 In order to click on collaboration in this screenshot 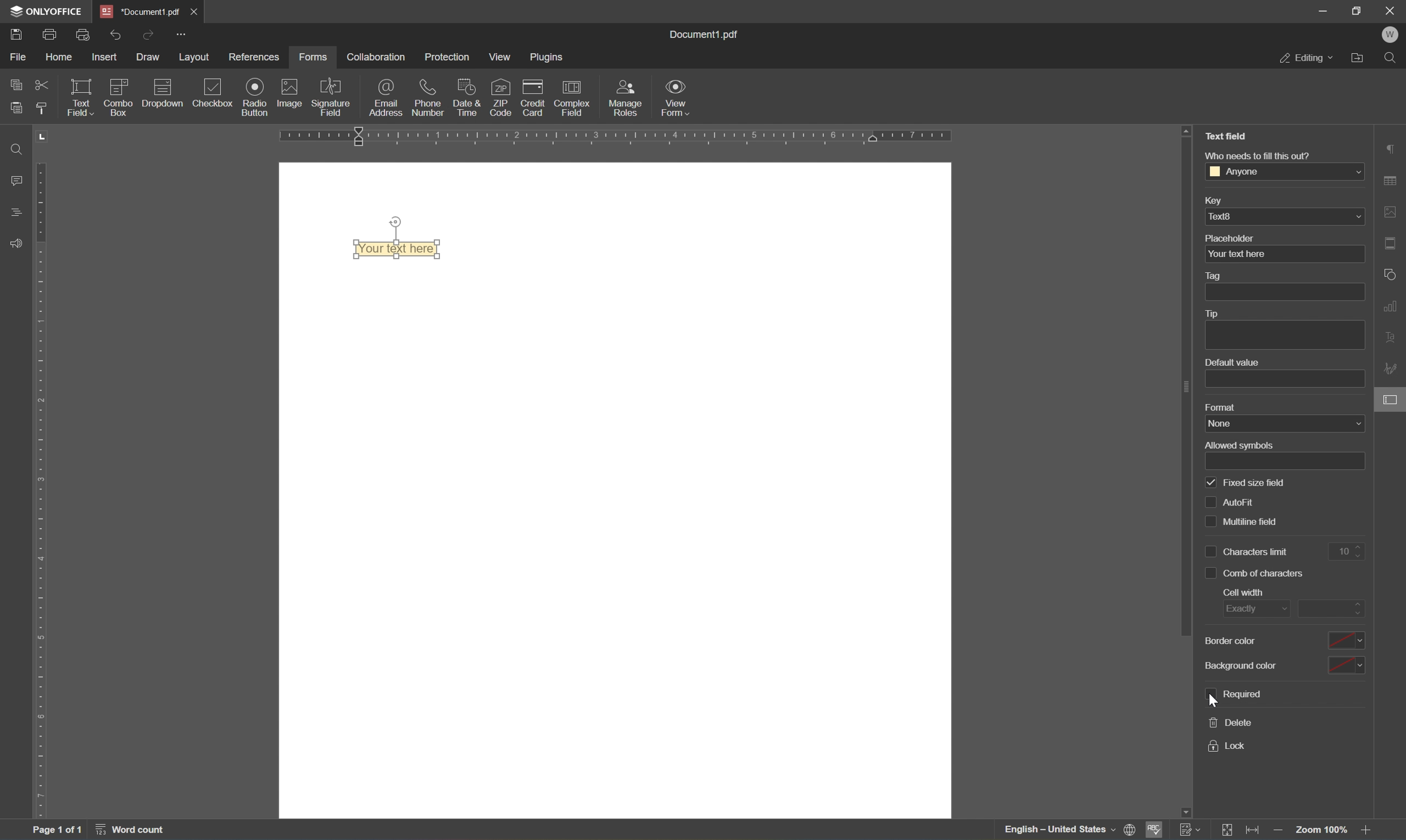, I will do `click(378, 58)`.